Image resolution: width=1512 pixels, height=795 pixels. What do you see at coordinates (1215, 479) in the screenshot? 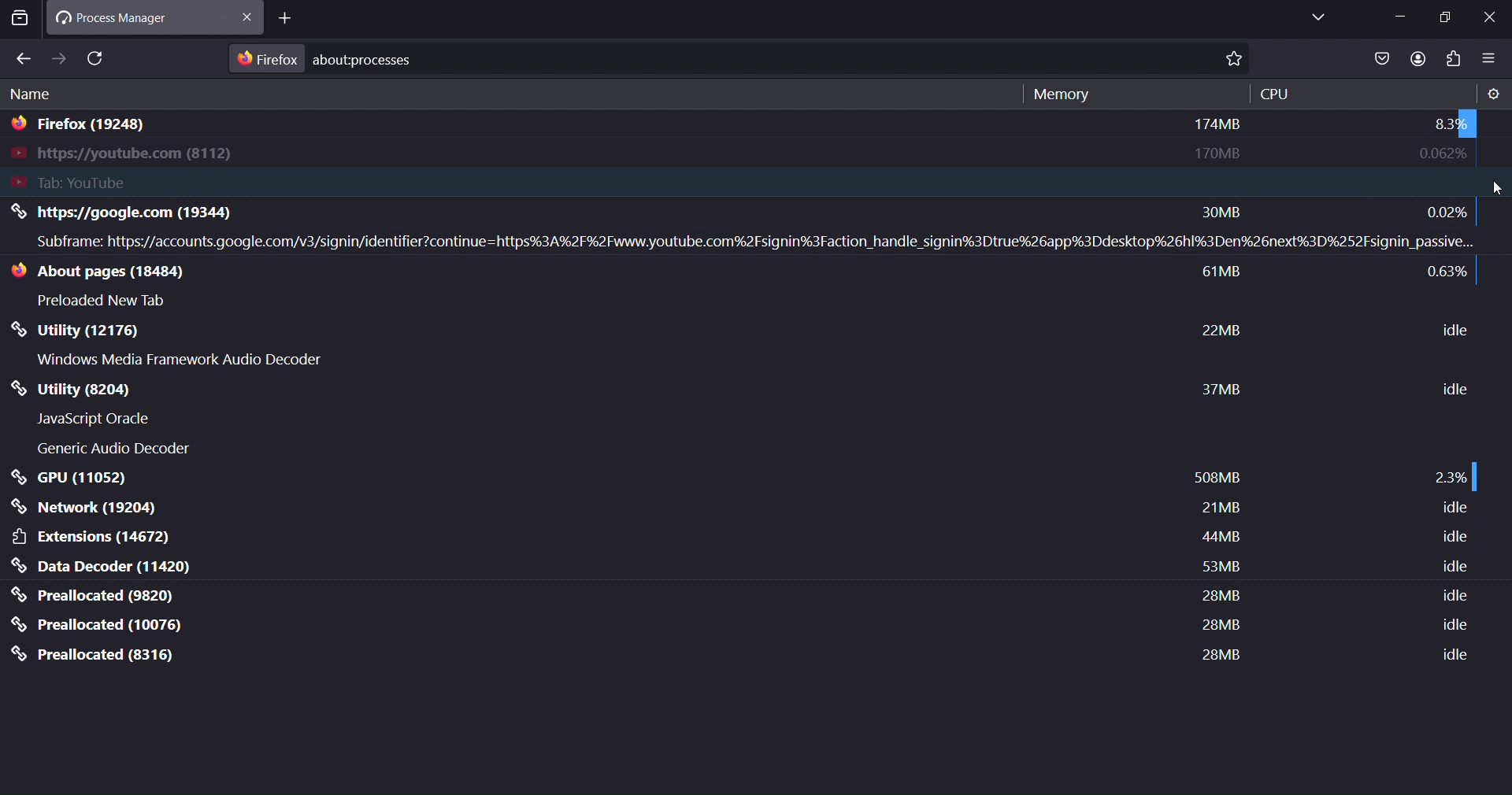
I see `508 mb` at bounding box center [1215, 479].